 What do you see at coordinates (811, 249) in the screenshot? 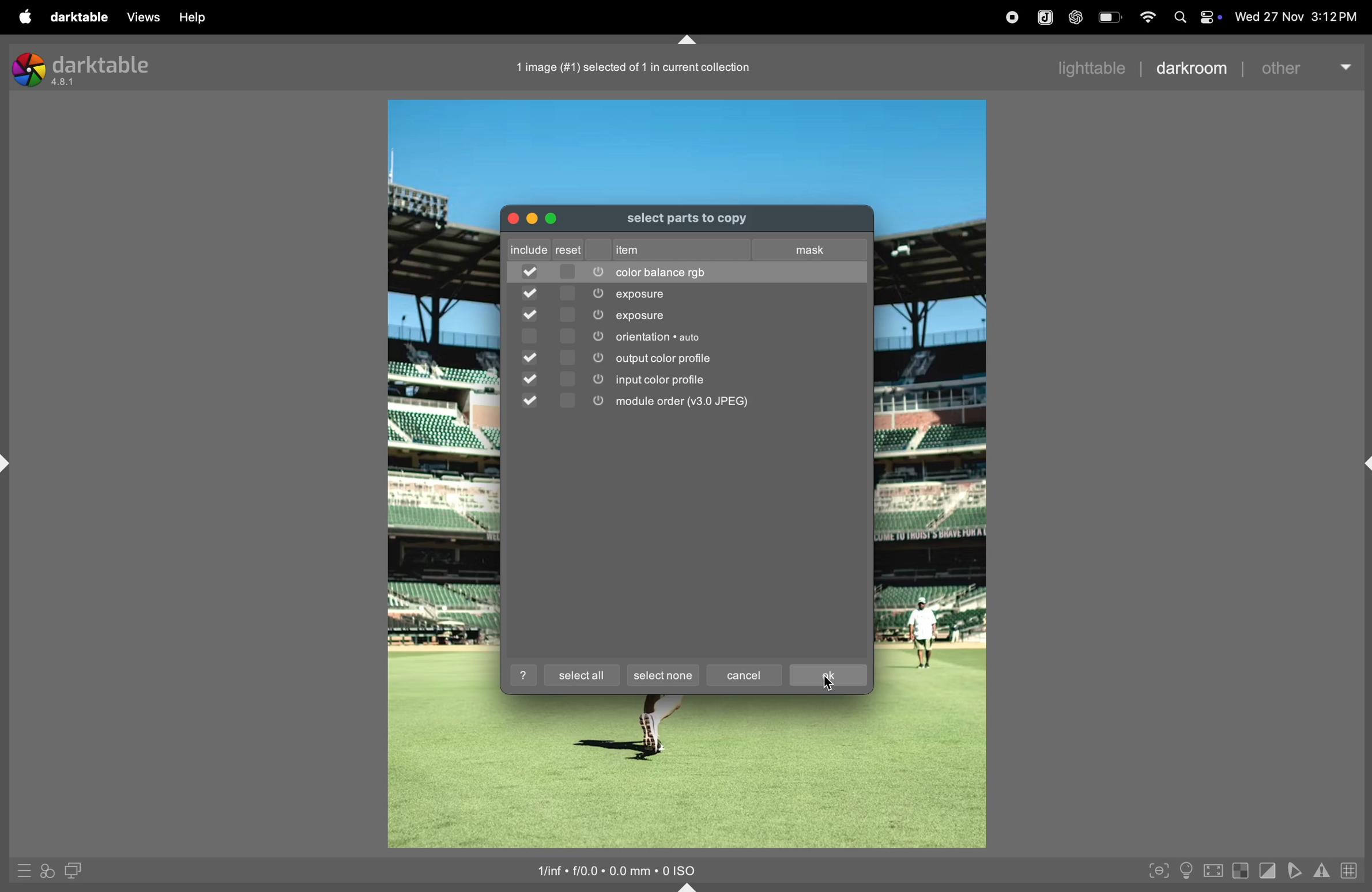
I see `mask` at bounding box center [811, 249].